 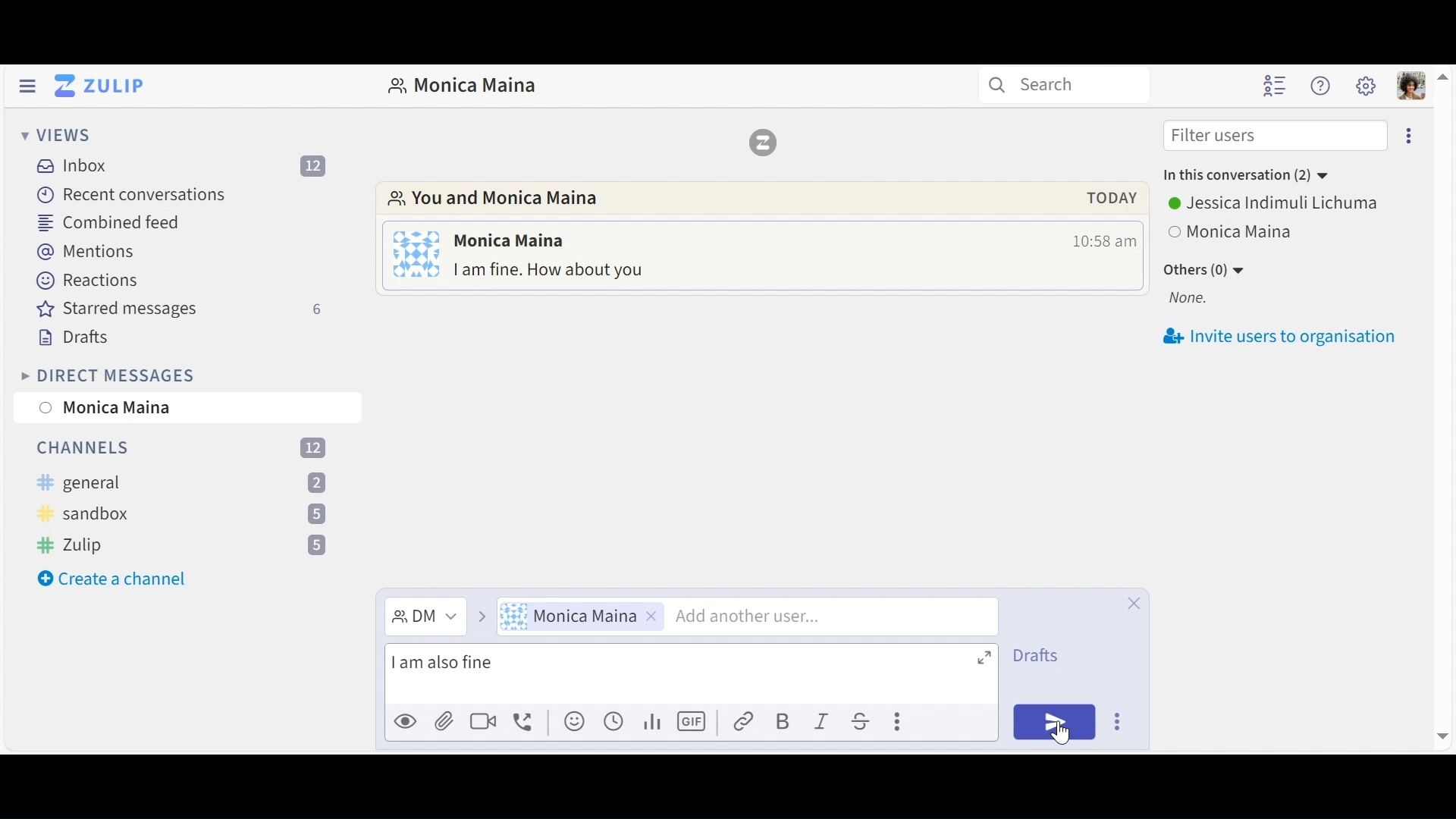 I want to click on channel, so click(x=181, y=482).